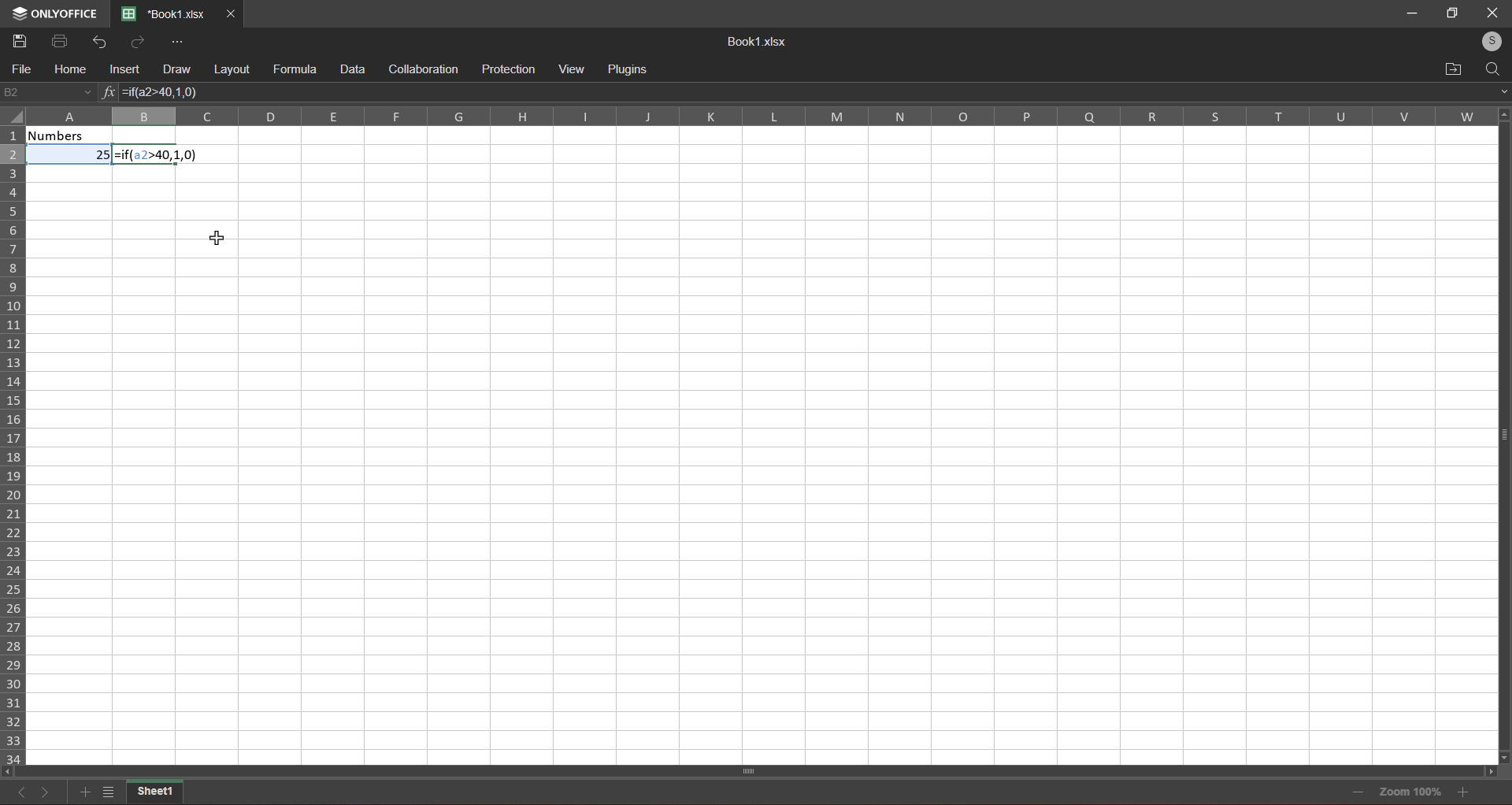  I want to click on formula, so click(293, 69).